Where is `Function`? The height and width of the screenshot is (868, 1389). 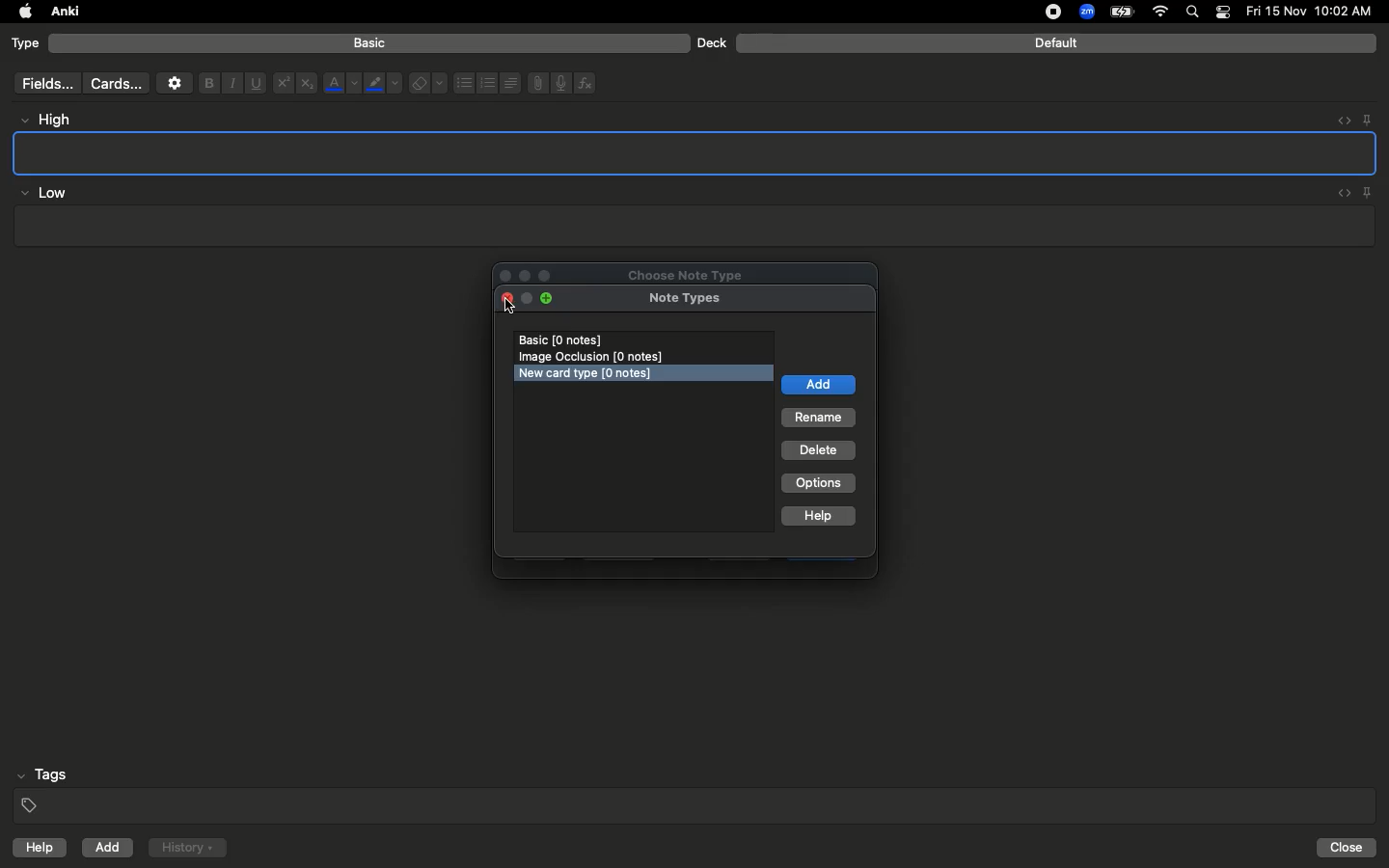
Function is located at coordinates (586, 83).